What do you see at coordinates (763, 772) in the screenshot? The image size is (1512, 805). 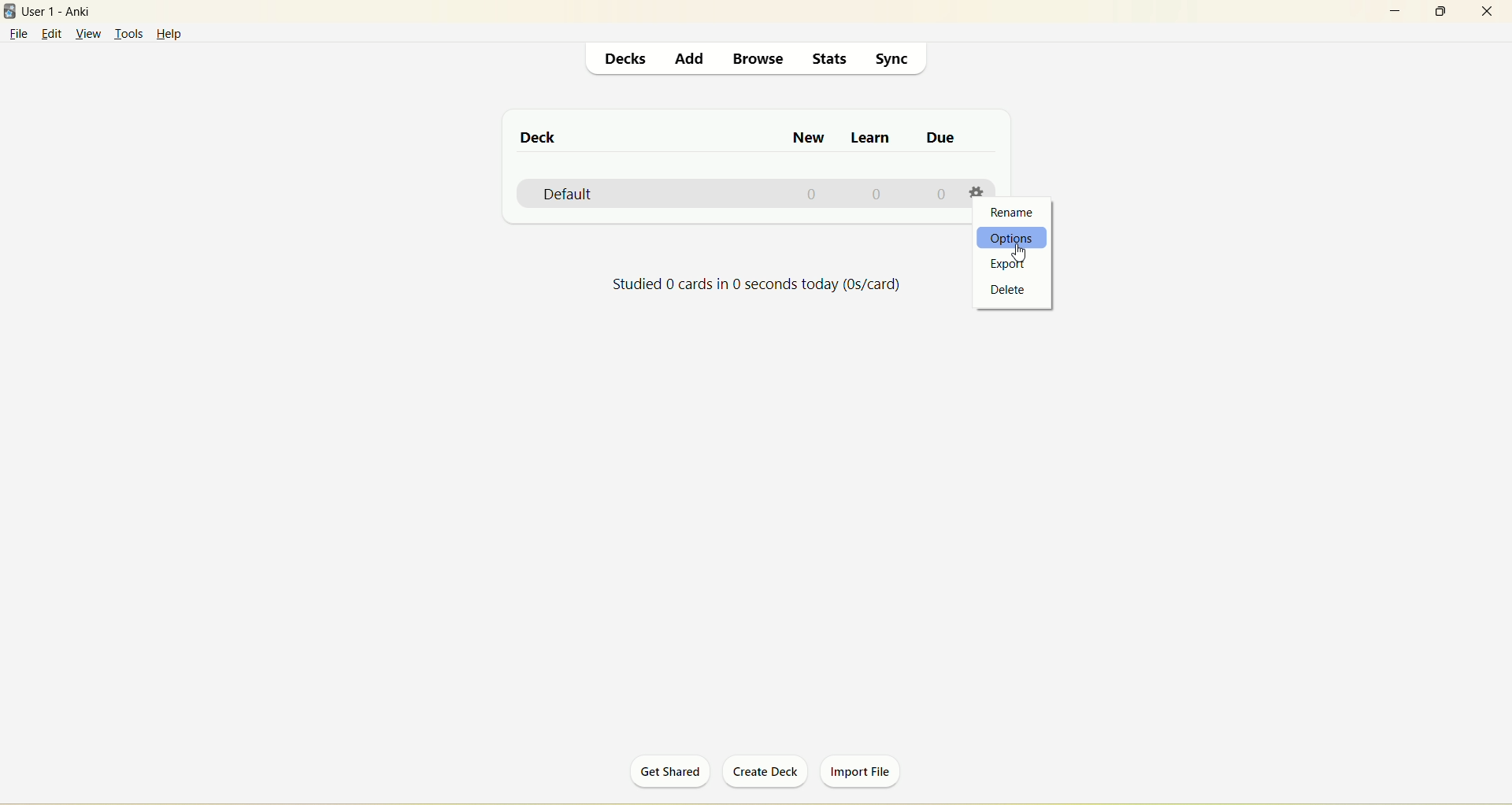 I see `create deck` at bounding box center [763, 772].